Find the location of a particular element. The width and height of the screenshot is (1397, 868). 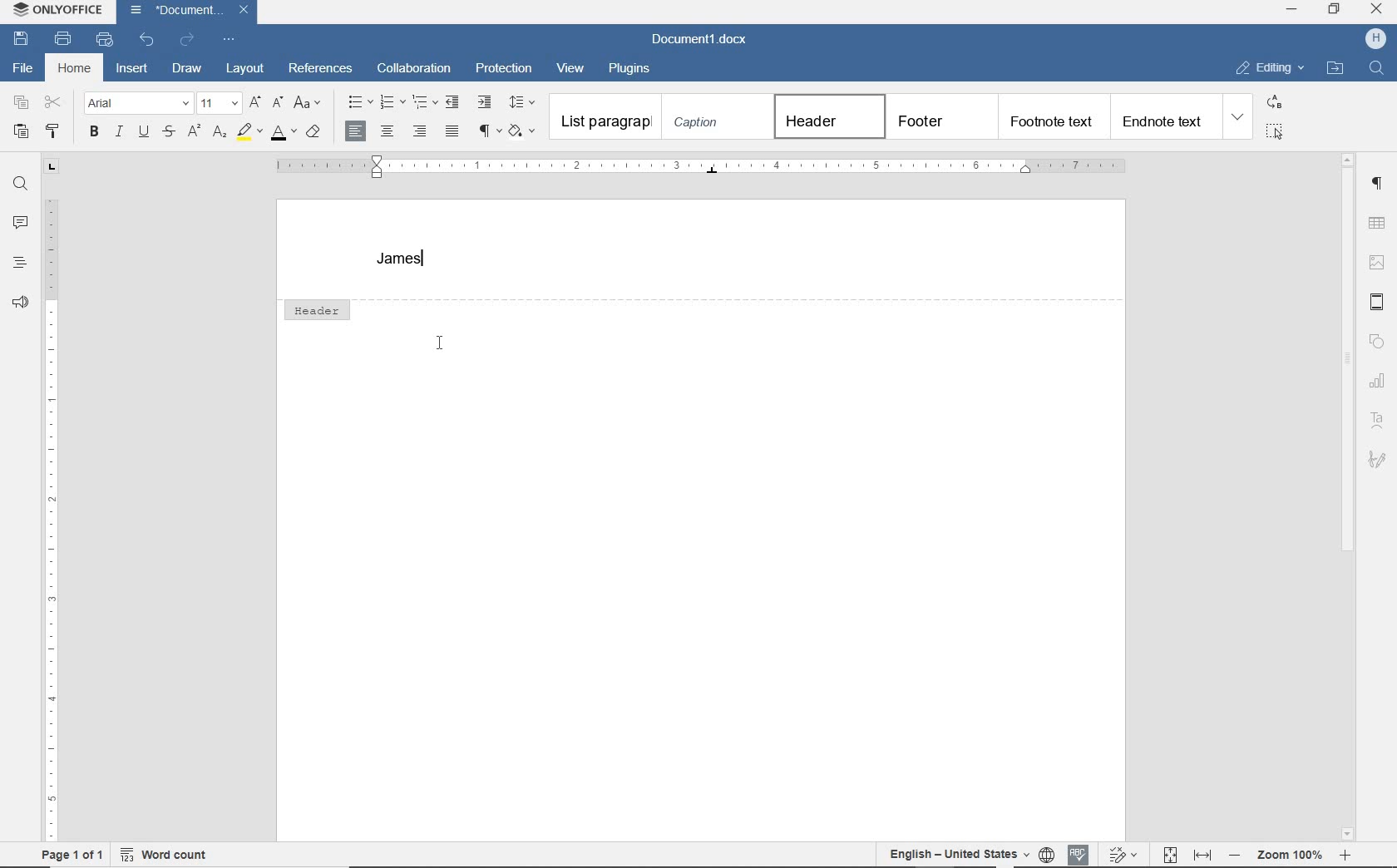

spellchecking is located at coordinates (1077, 854).